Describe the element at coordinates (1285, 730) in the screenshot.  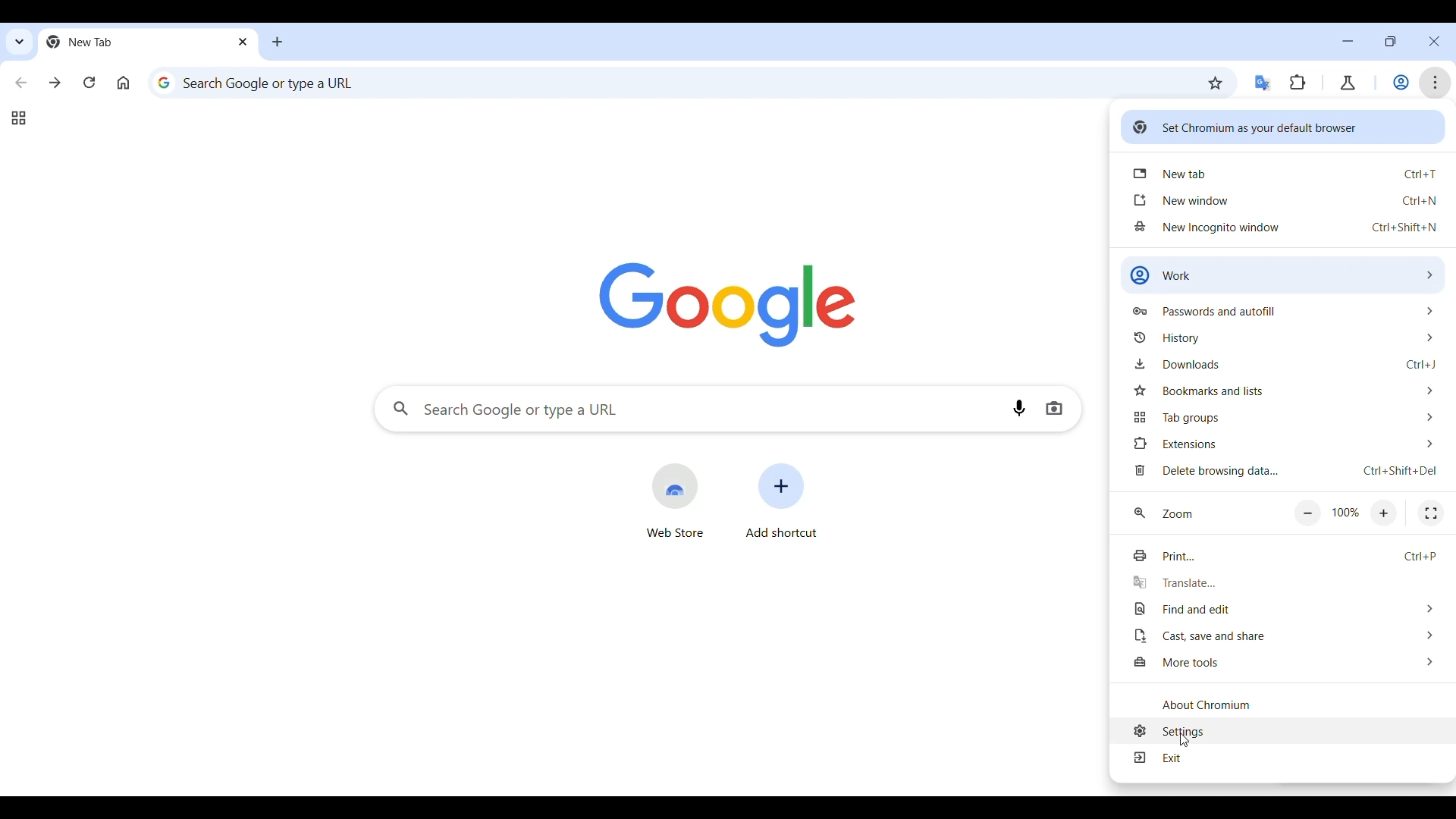
I see `Settings` at that location.